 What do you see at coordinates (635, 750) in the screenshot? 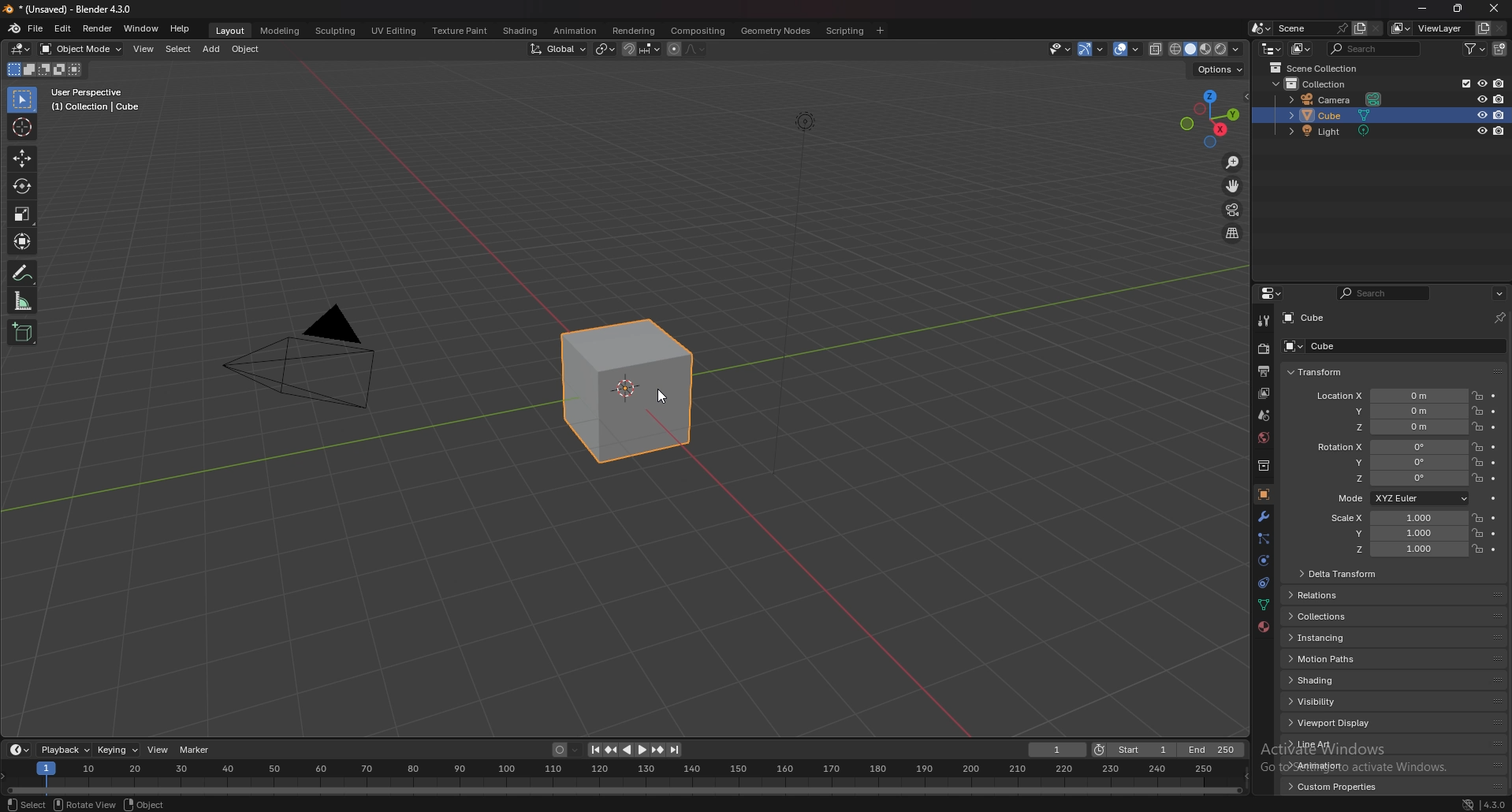
I see `play` at bounding box center [635, 750].